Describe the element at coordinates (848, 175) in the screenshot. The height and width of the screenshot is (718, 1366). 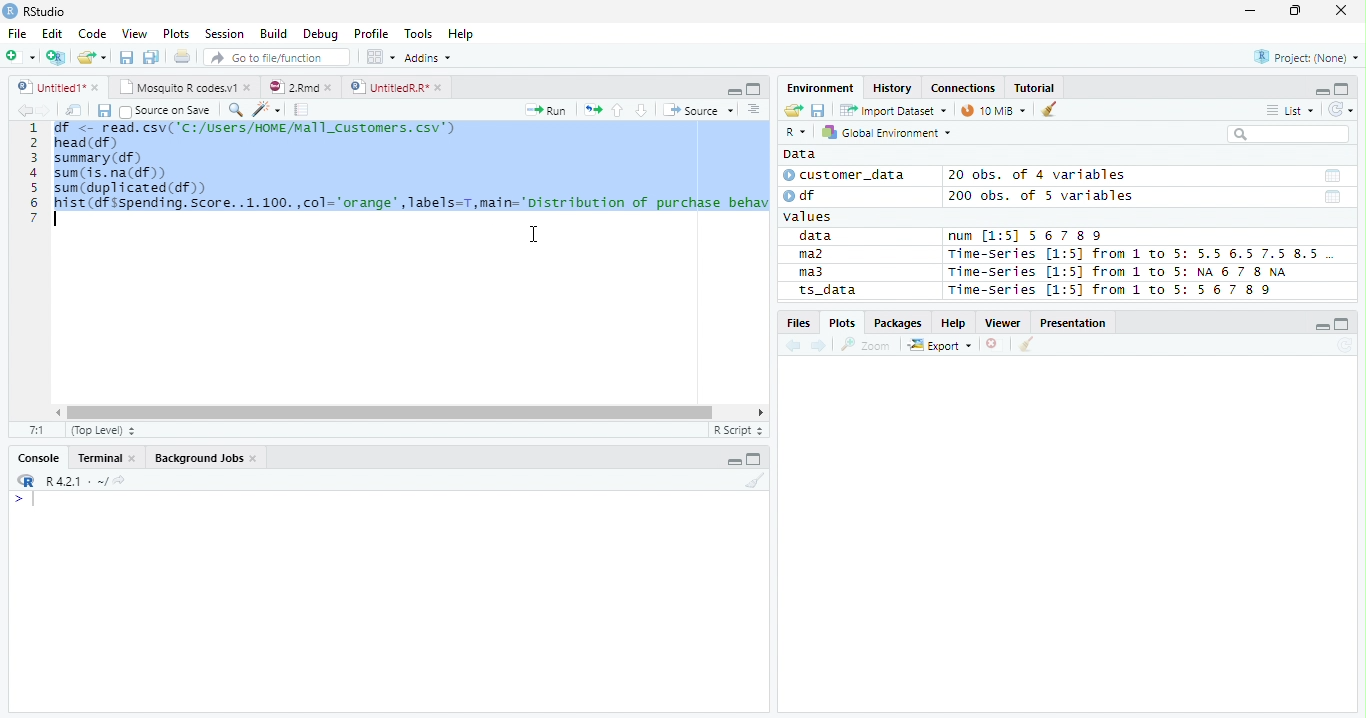
I see `customer_data` at that location.